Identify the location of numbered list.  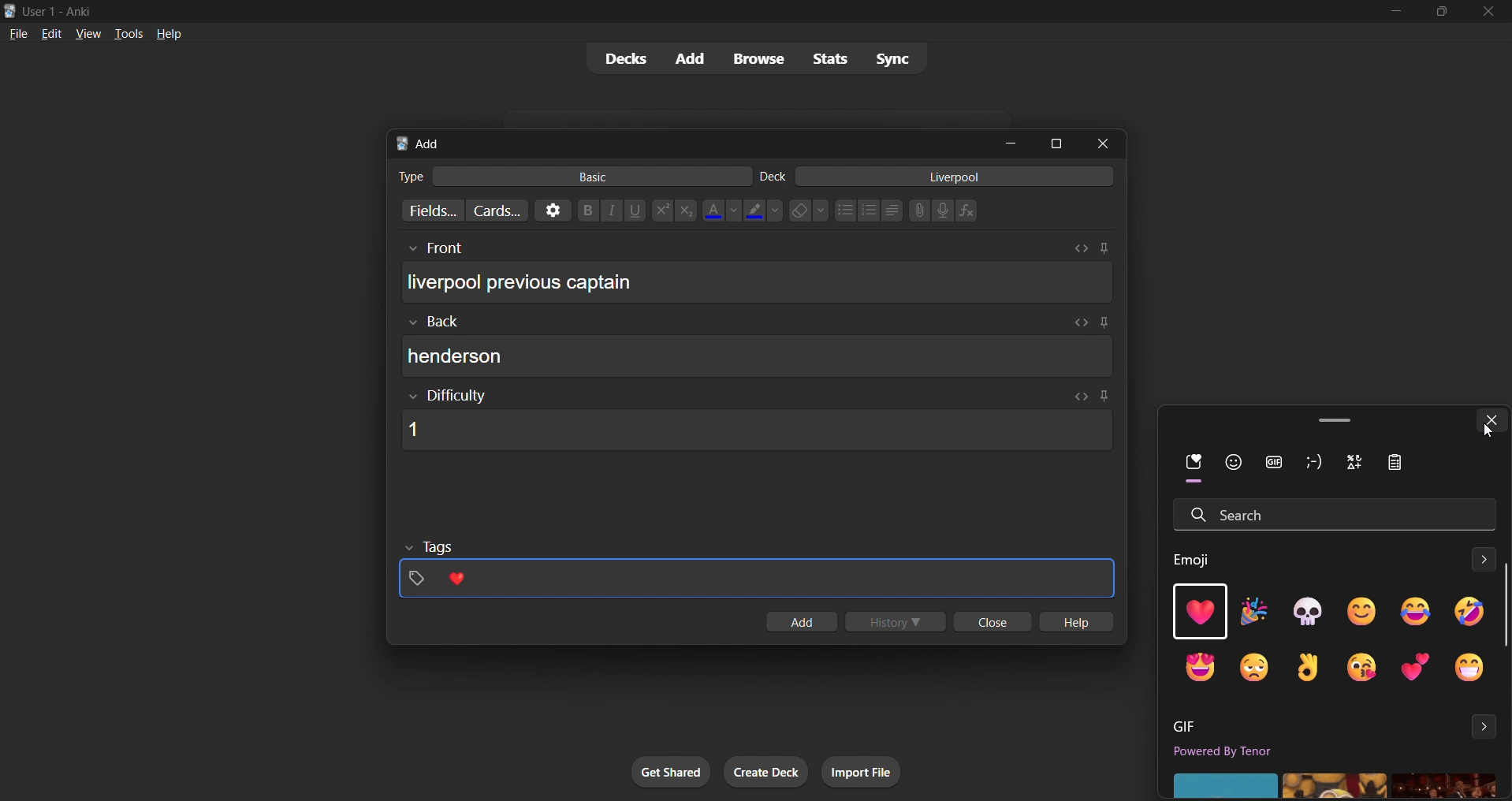
(870, 212).